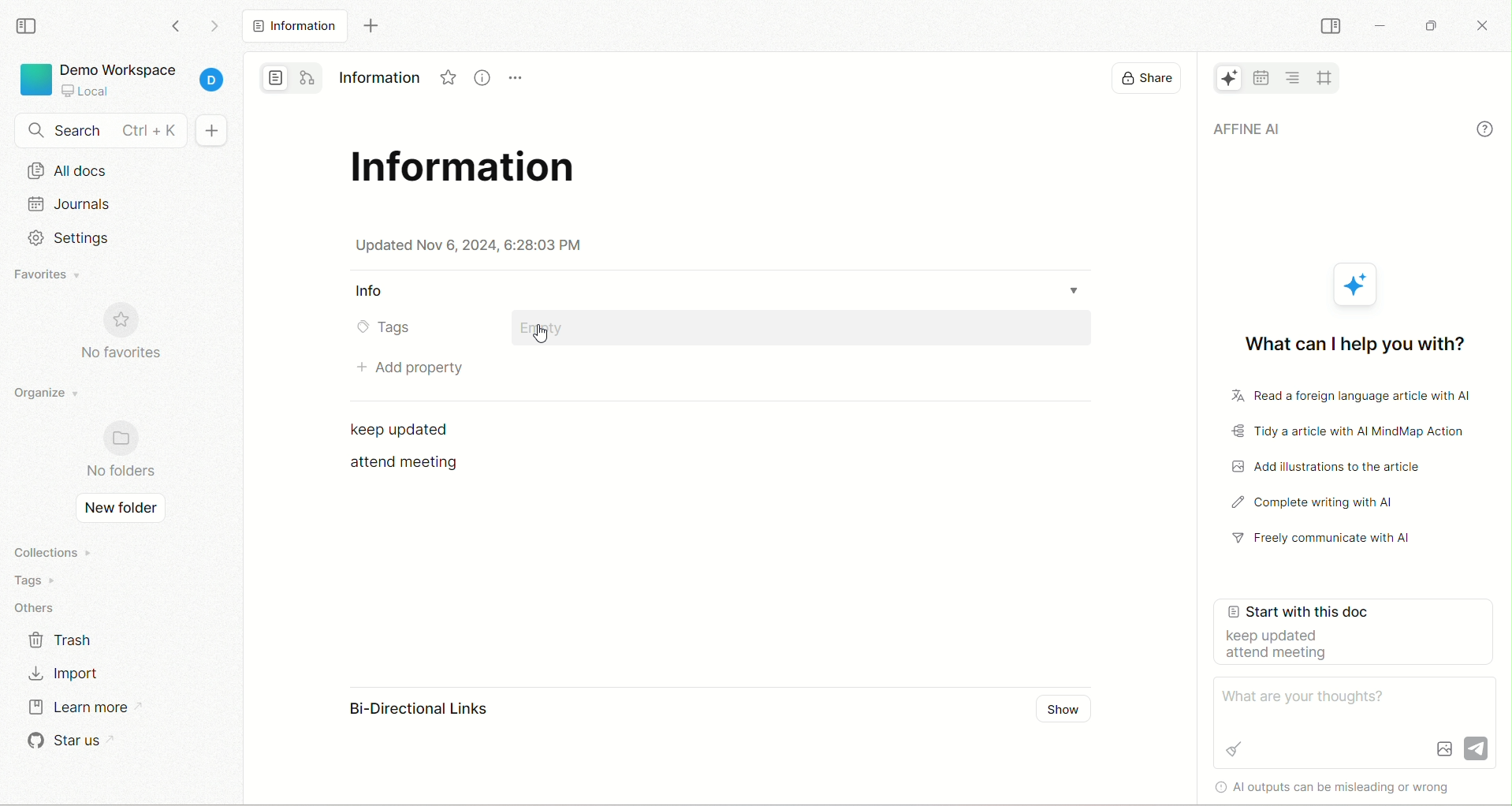 Image resolution: width=1512 pixels, height=806 pixels. I want to click on Information icon, so click(483, 79).